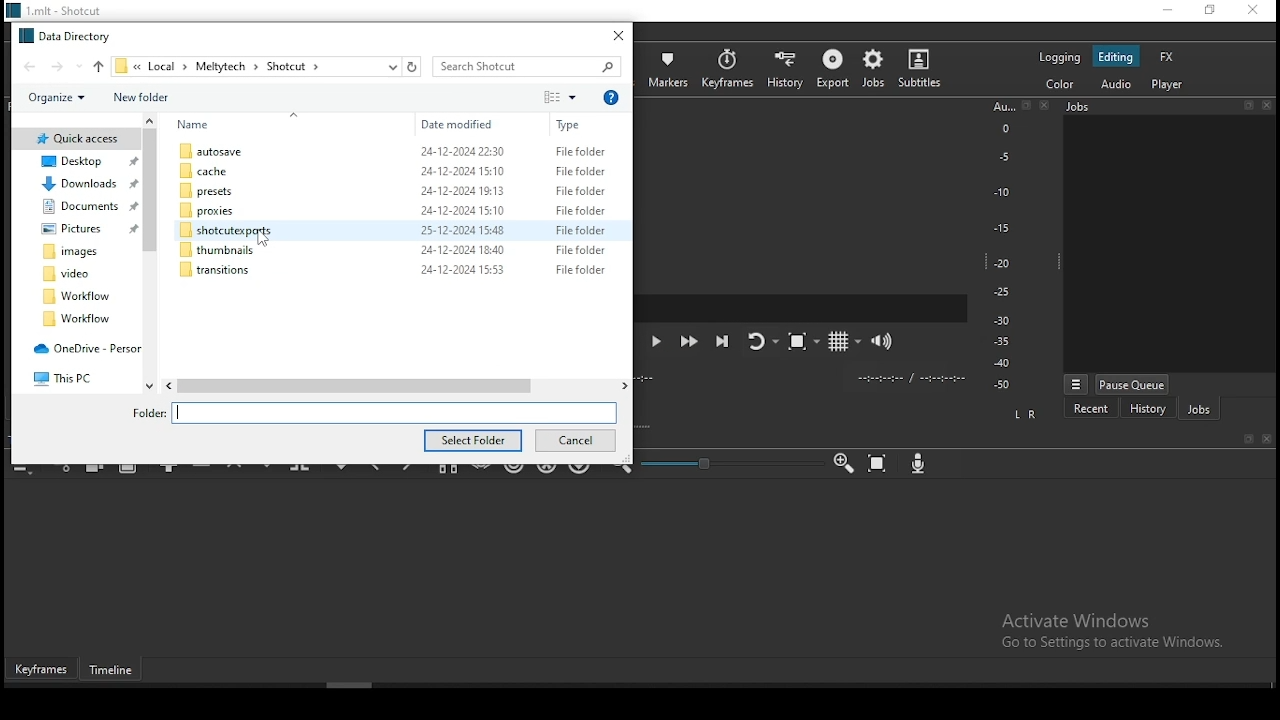 This screenshot has width=1280, height=720. I want to click on back, so click(24, 66).